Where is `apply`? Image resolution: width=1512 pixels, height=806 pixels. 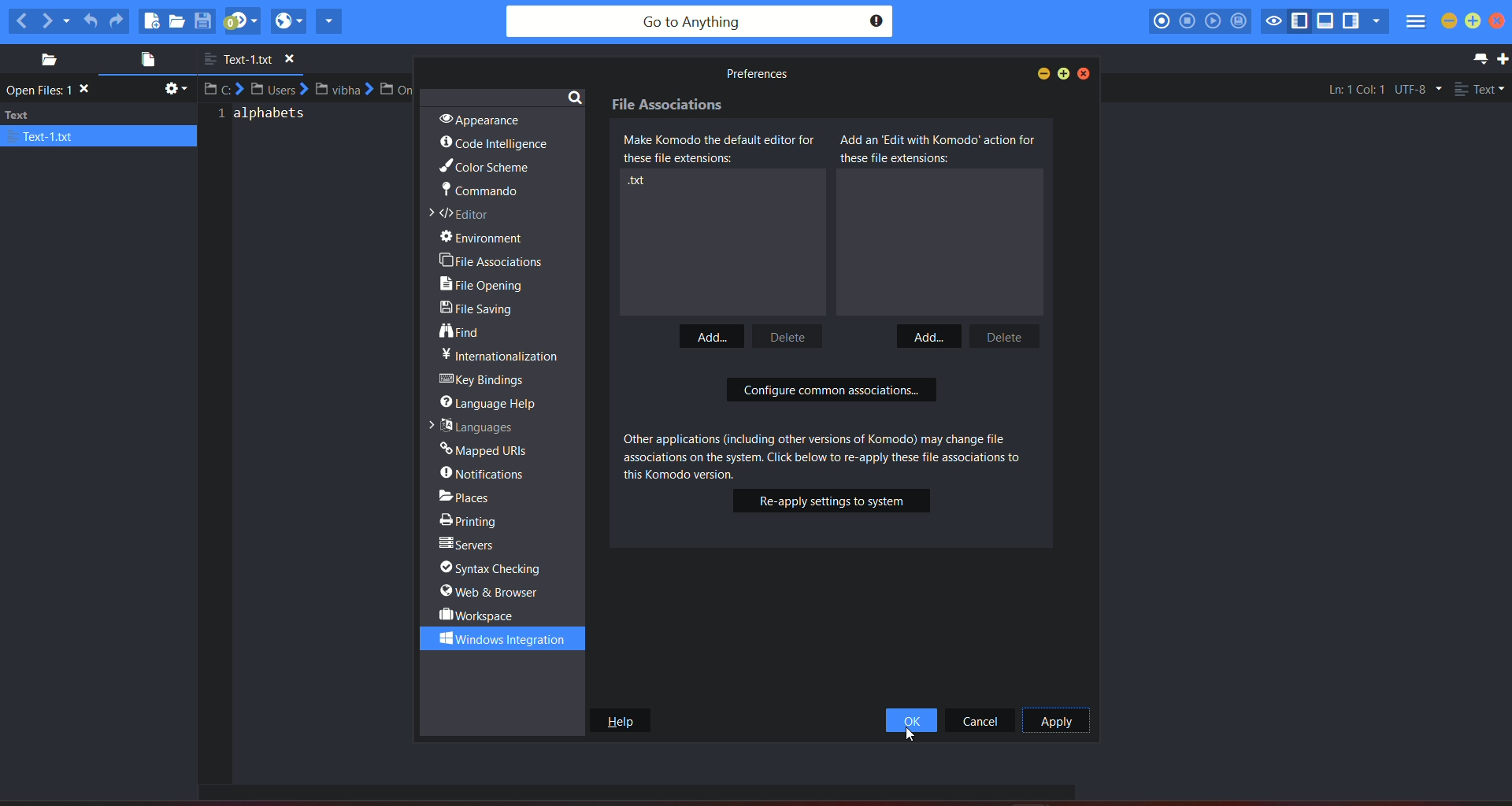
apply is located at coordinates (1055, 721).